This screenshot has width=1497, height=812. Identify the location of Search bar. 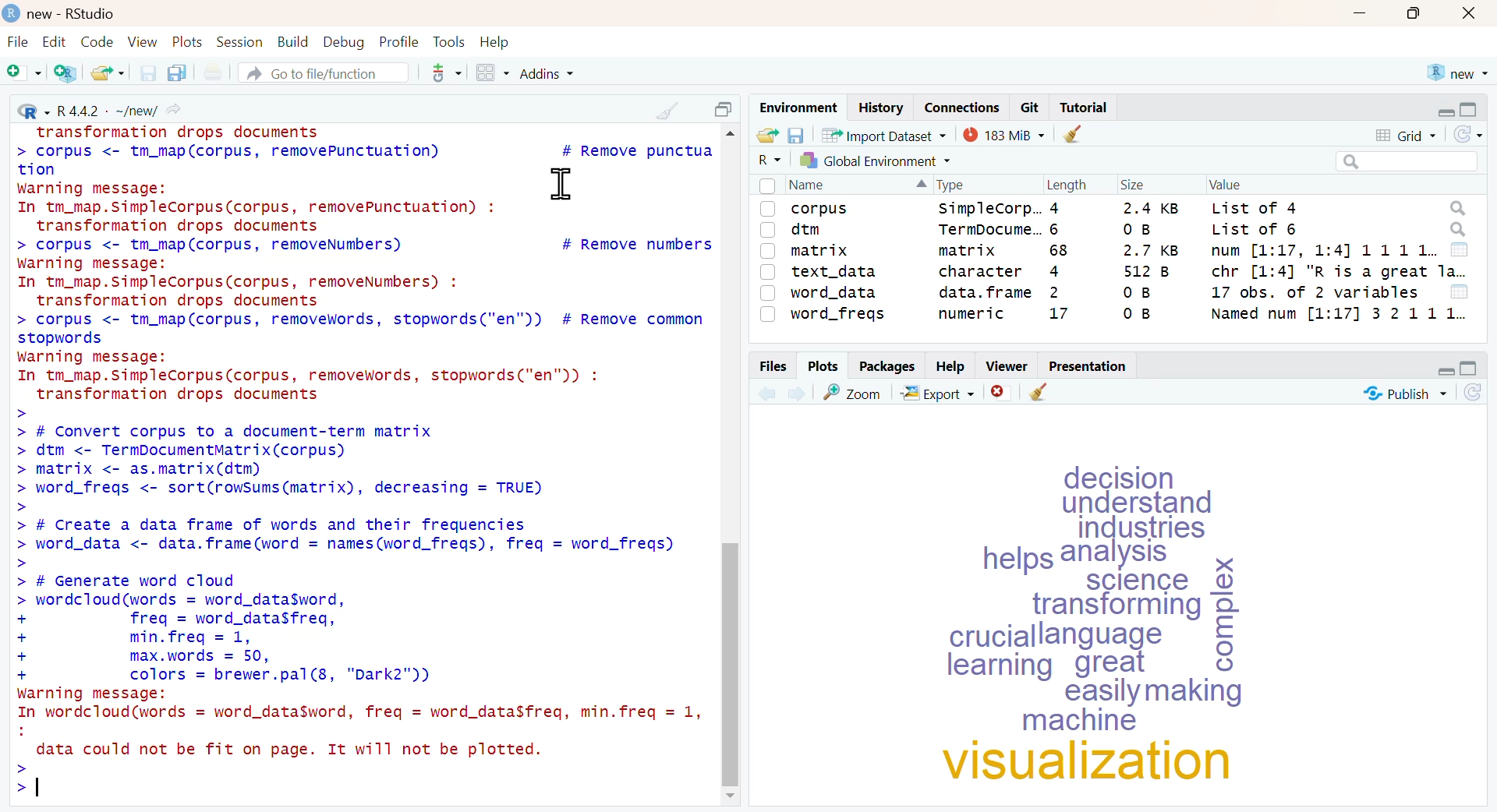
(1404, 161).